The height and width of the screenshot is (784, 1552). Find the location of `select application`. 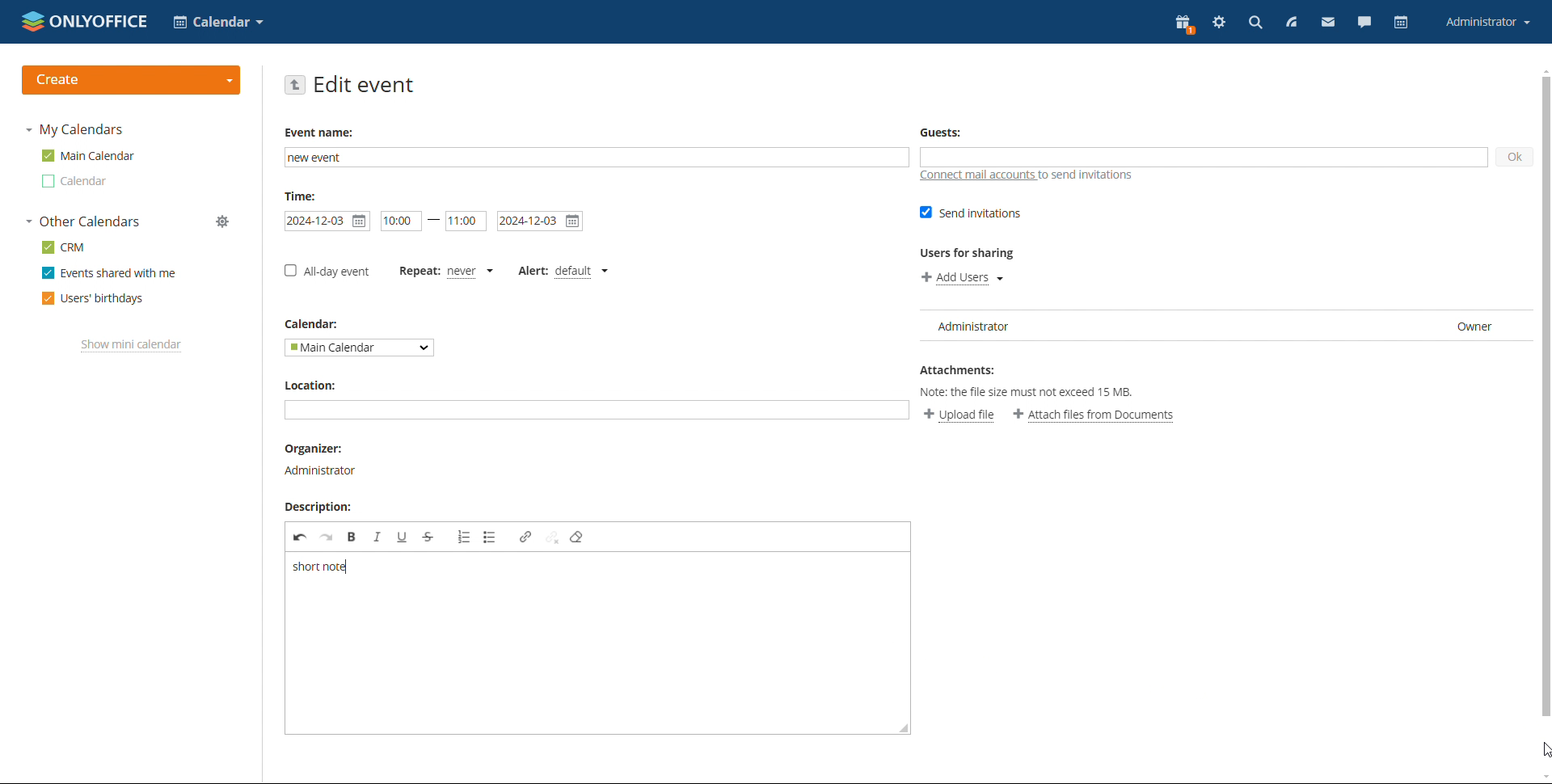

select application is located at coordinates (217, 22).